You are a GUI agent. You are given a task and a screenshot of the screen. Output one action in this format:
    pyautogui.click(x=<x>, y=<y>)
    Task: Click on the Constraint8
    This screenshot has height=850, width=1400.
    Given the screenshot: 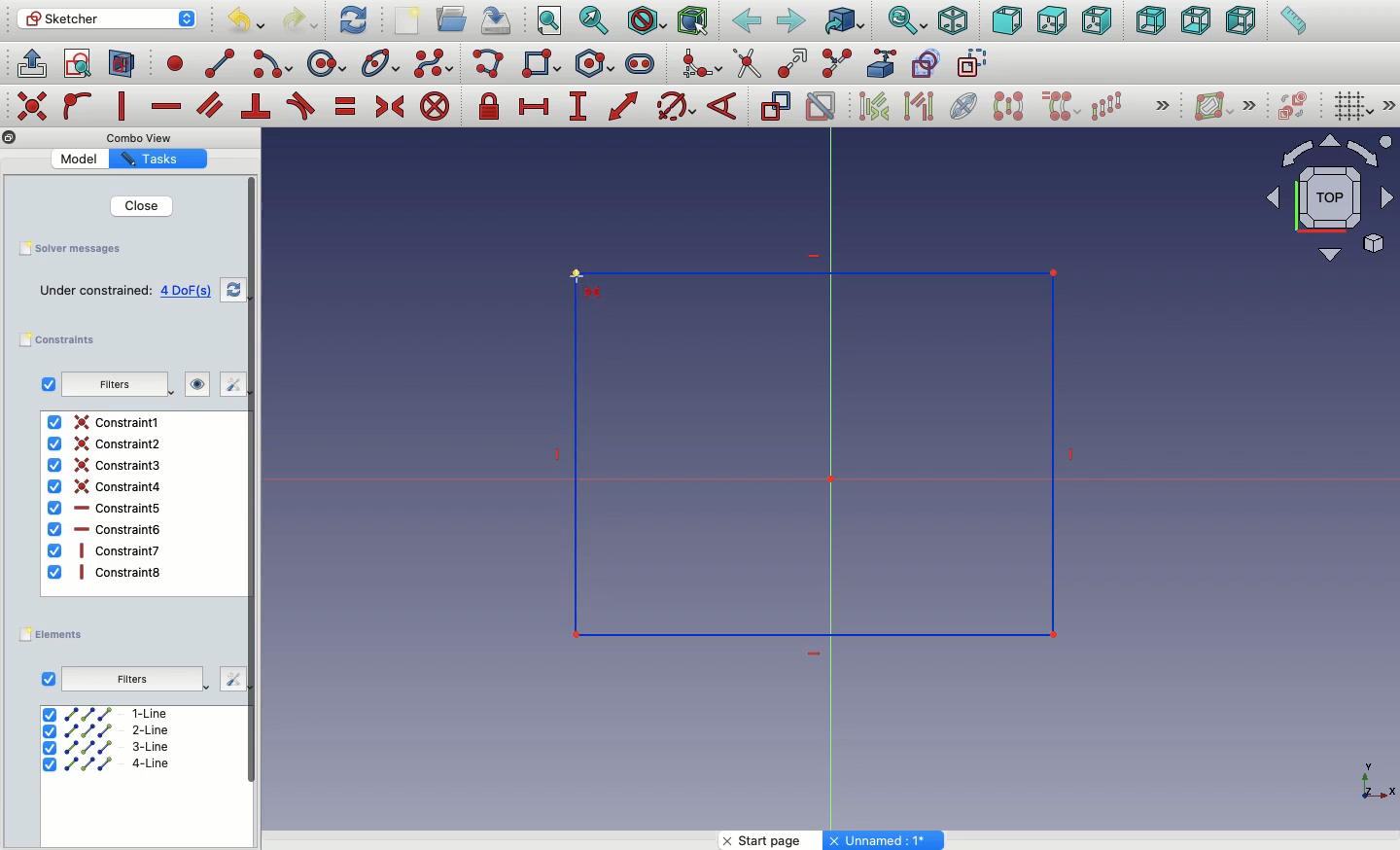 What is the action you would take?
    pyautogui.click(x=106, y=572)
    